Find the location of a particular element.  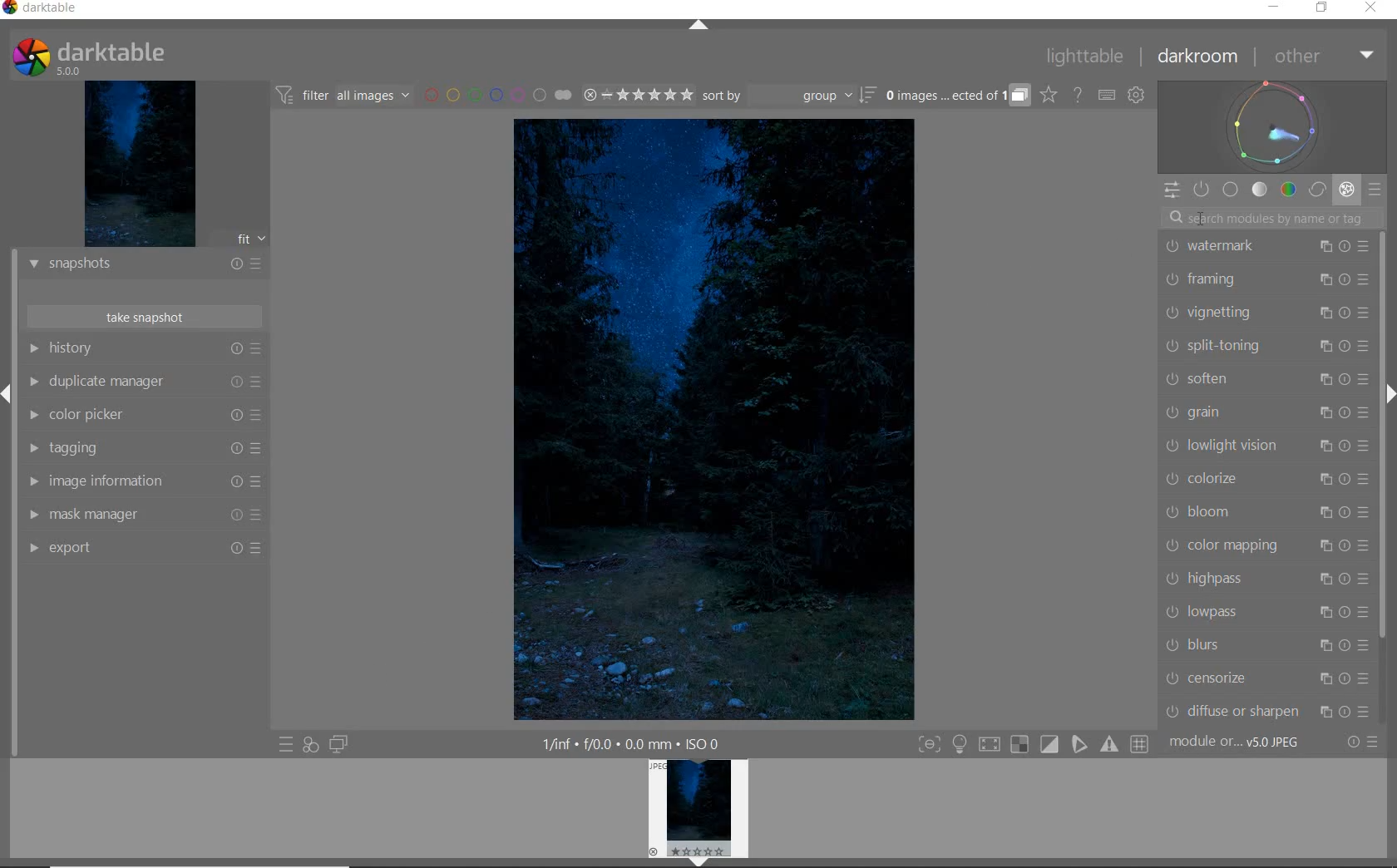

QUICK ACCESS PANEL is located at coordinates (1170, 190).